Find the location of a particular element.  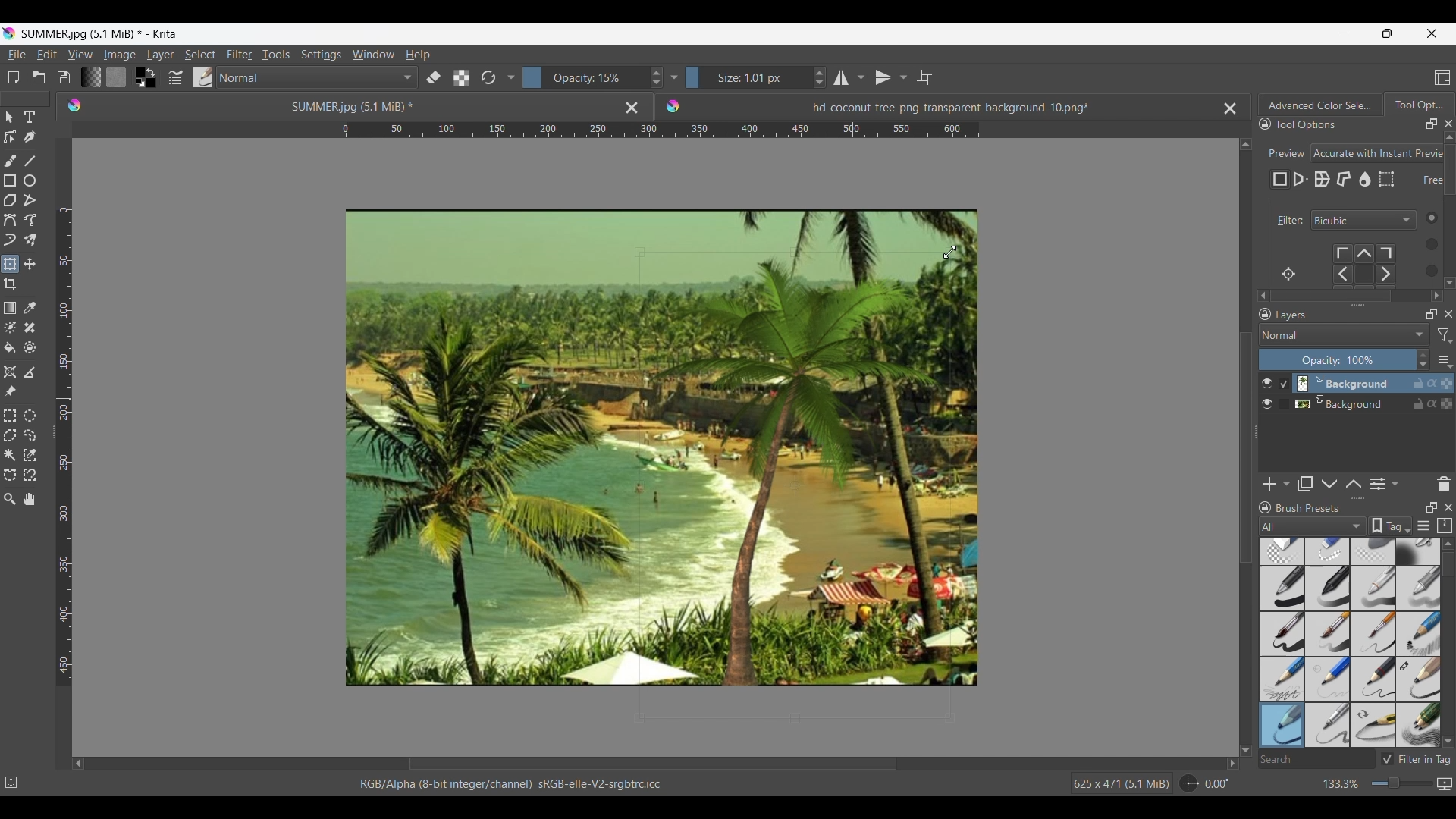

Eraser small is located at coordinates (1328, 551).